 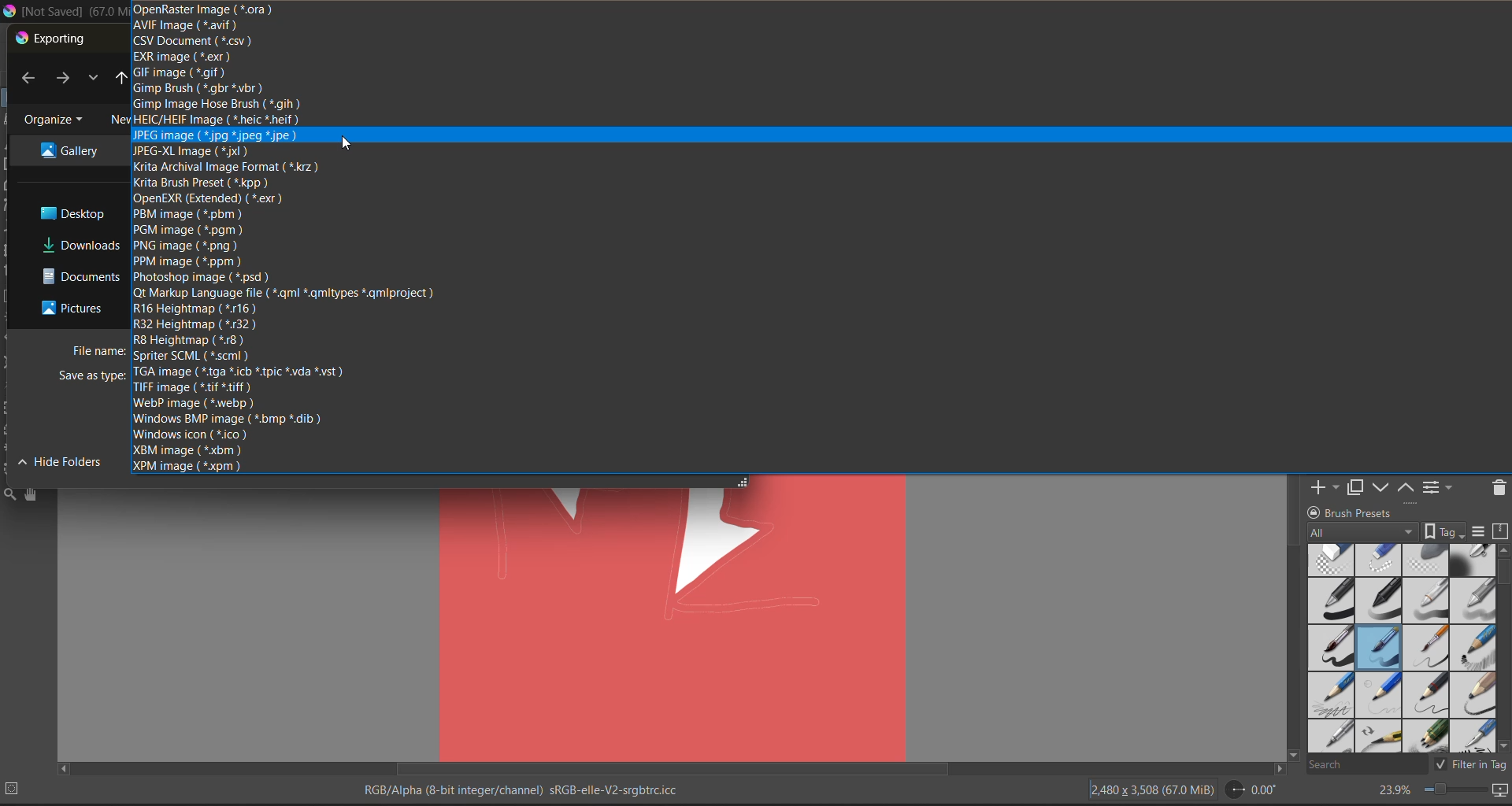 I want to click on pgm image, so click(x=190, y=230).